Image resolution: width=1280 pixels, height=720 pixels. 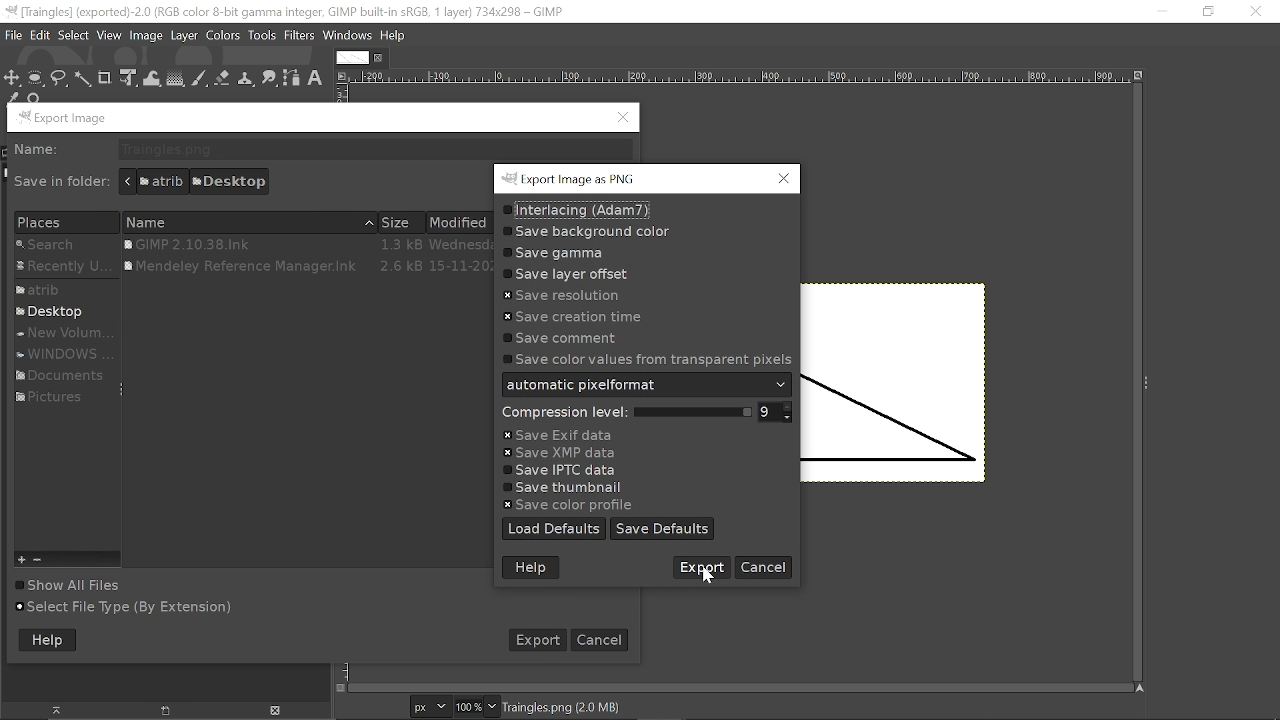 What do you see at coordinates (585, 233) in the screenshot?
I see `Save background color` at bounding box center [585, 233].